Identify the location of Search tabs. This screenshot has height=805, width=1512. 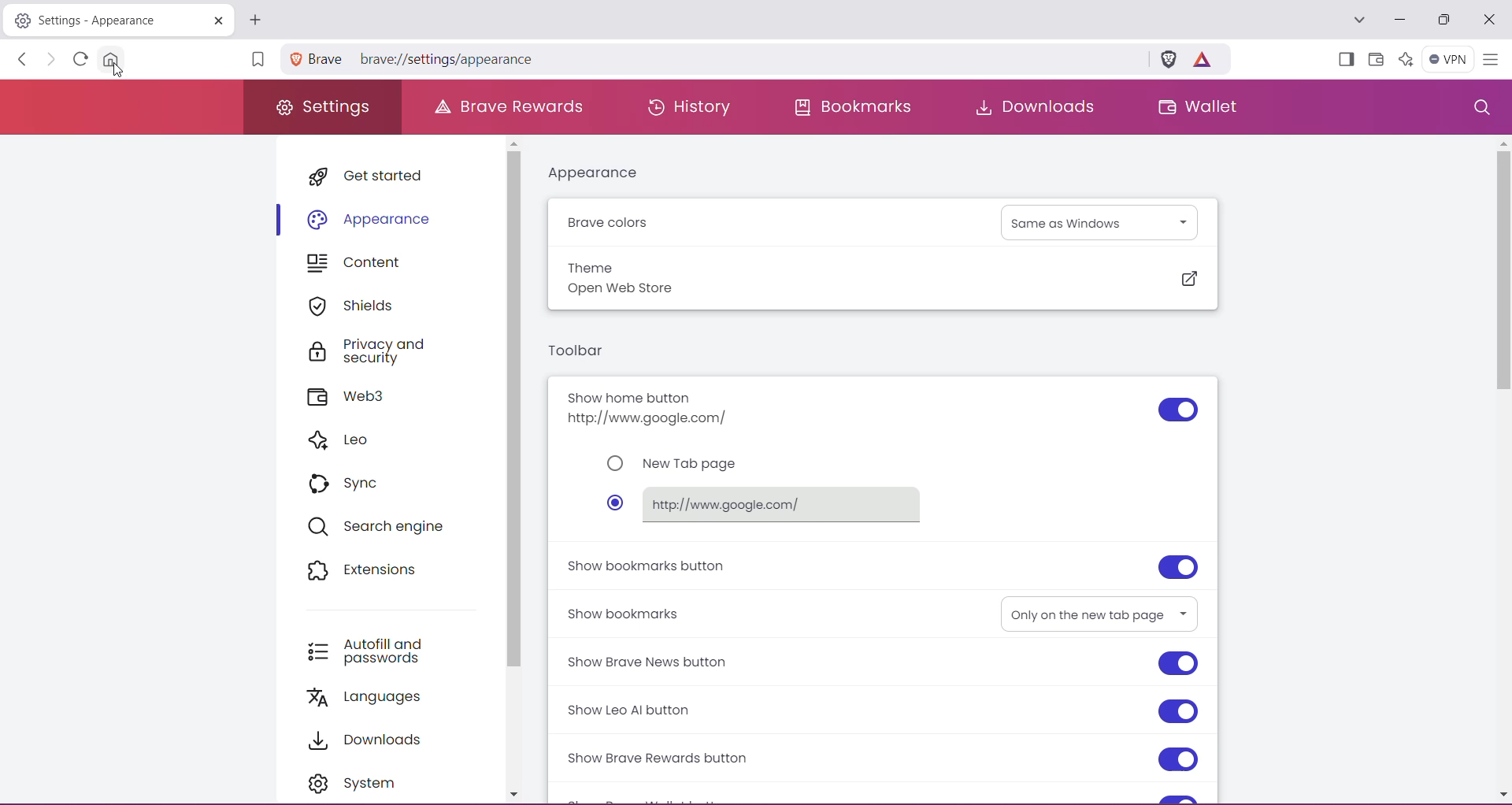
(1358, 20).